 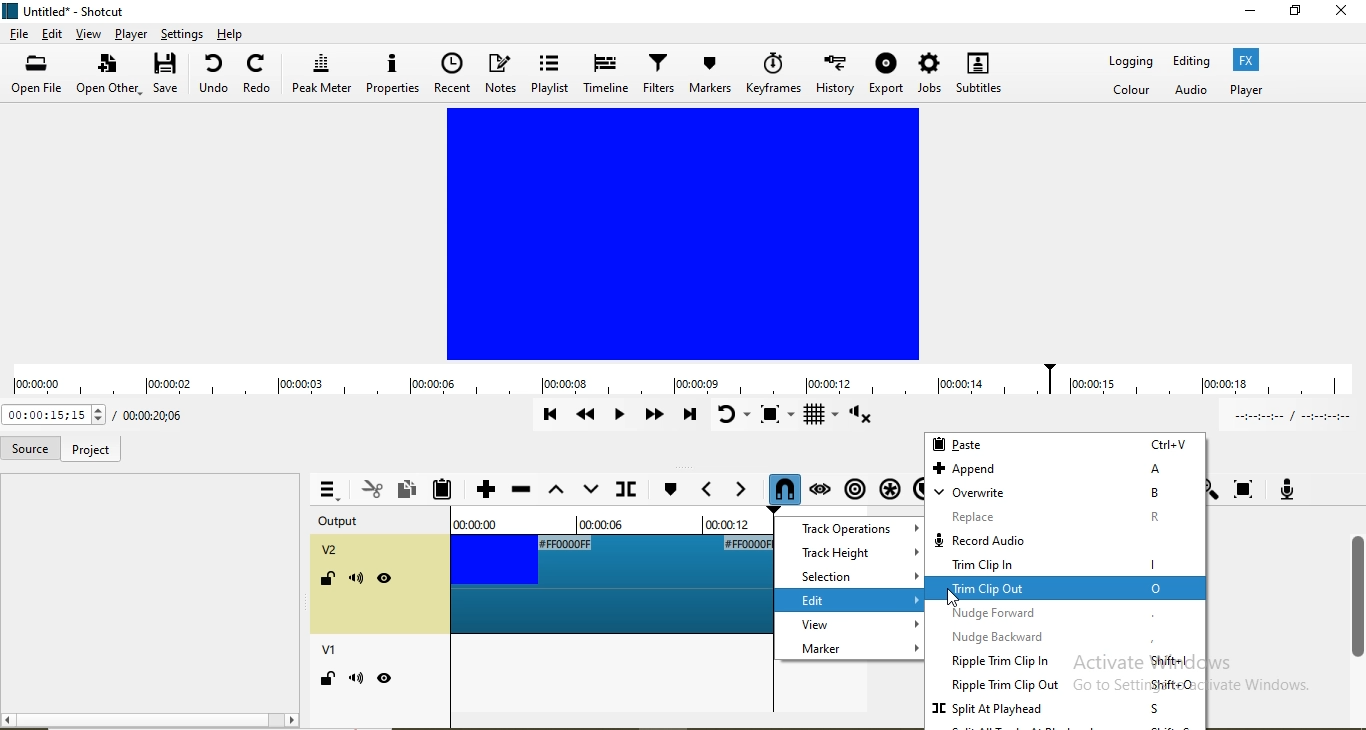 I want to click on Play quickly backwards, so click(x=587, y=419).